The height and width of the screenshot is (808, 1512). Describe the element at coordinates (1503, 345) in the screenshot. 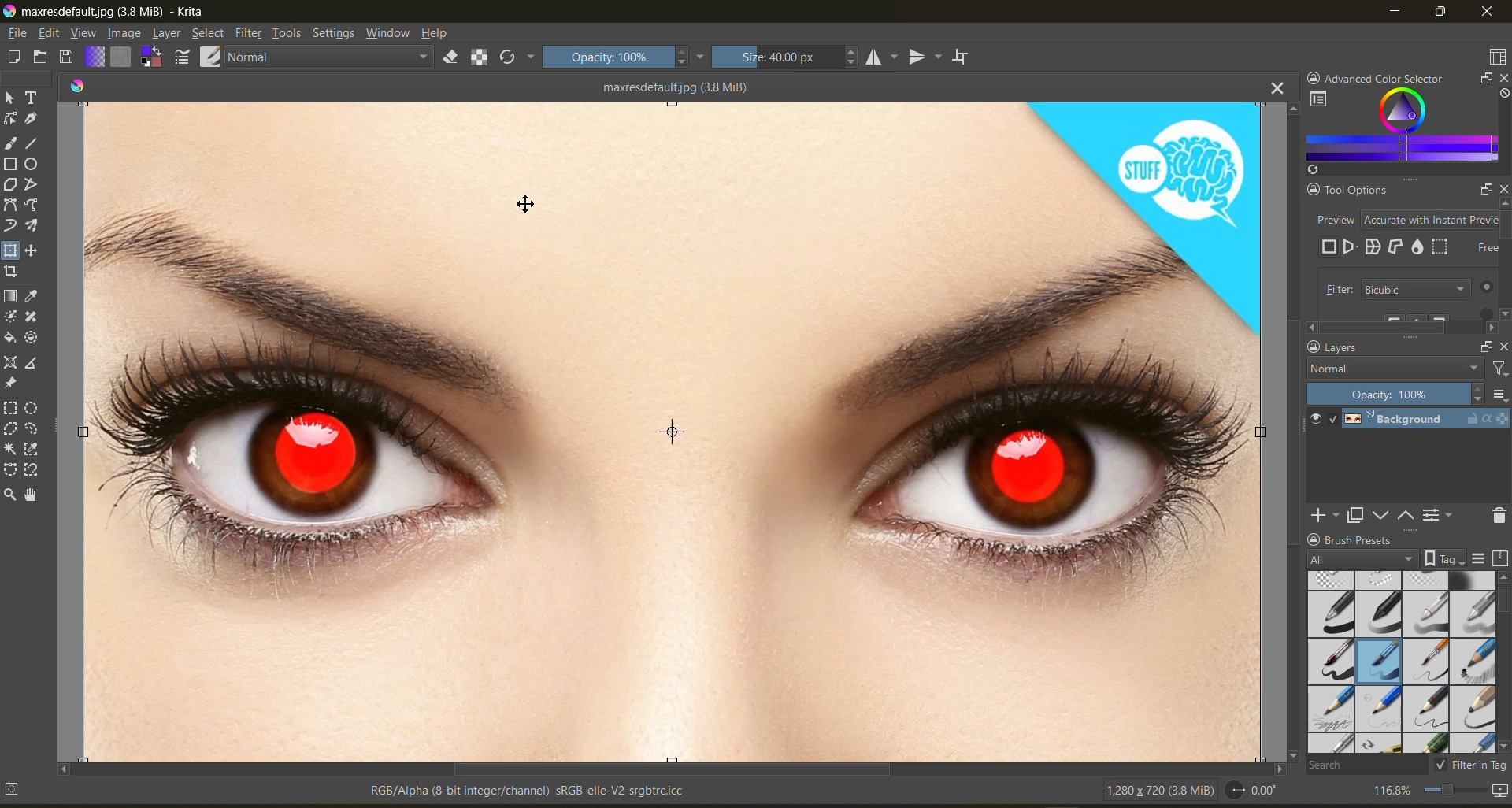

I see `close docker` at that location.